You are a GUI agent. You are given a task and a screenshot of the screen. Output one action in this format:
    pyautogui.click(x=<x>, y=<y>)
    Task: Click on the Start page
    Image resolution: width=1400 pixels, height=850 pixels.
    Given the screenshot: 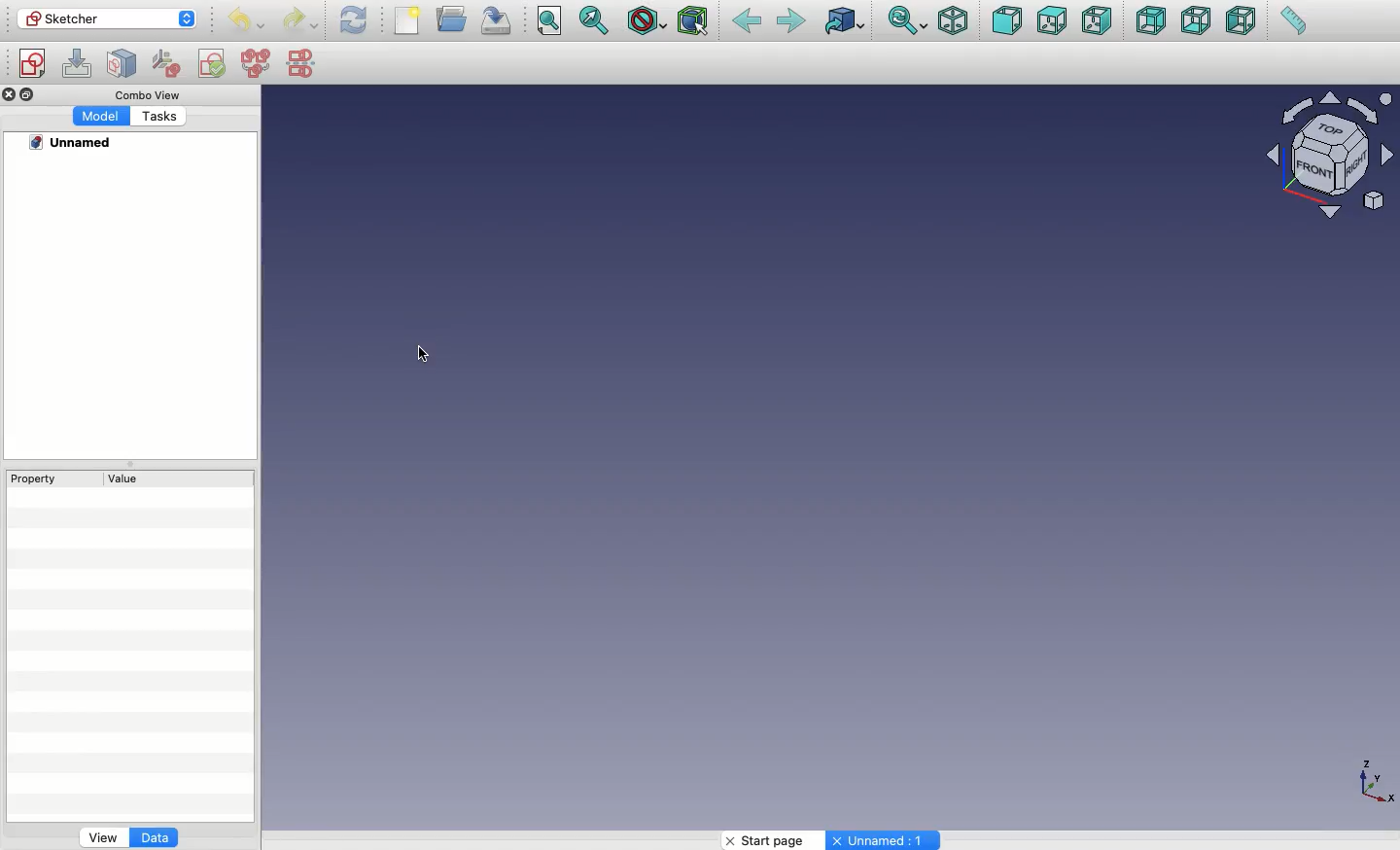 What is the action you would take?
    pyautogui.click(x=766, y=839)
    